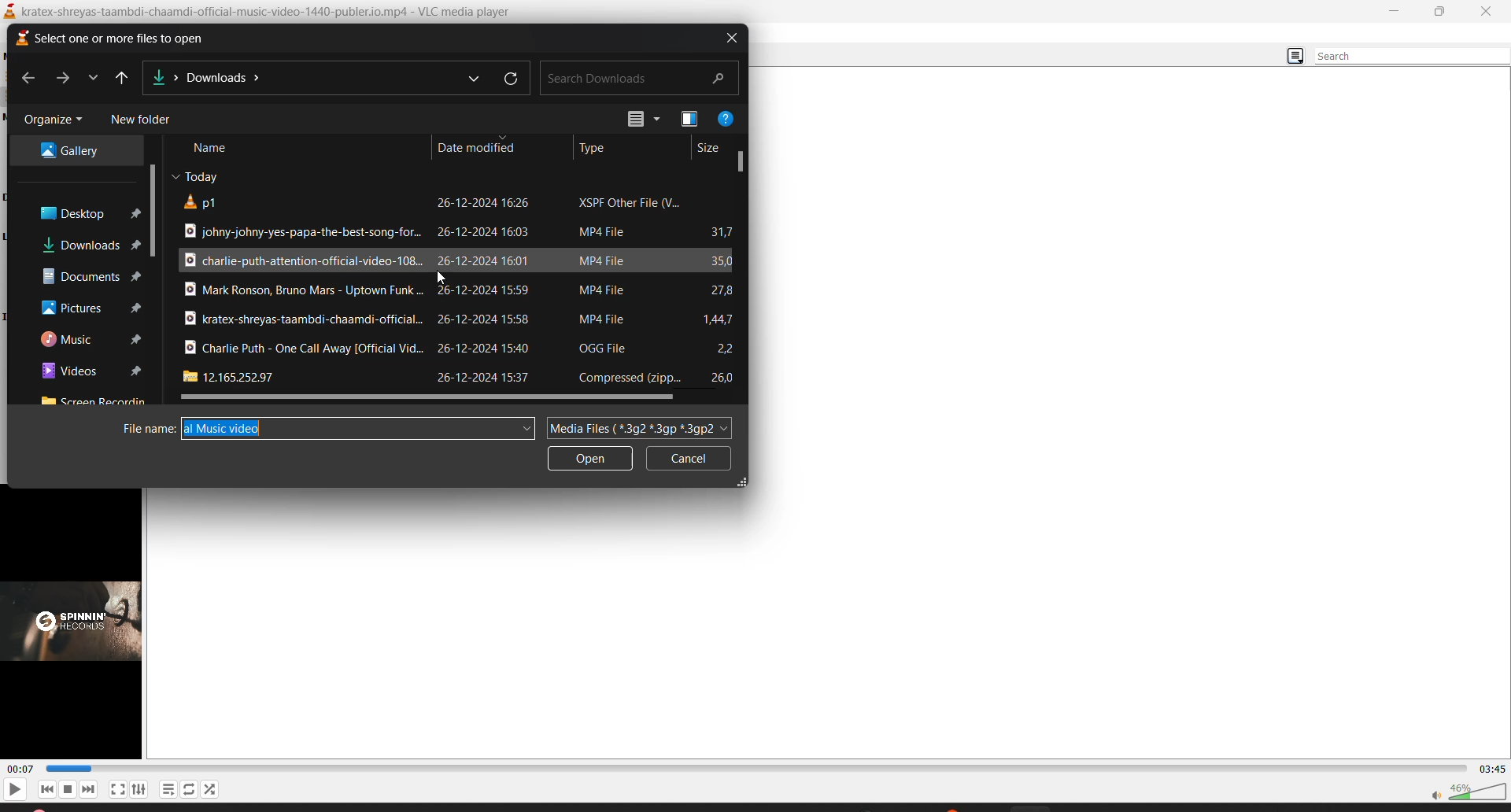 The height and width of the screenshot is (812, 1511). What do you see at coordinates (88, 217) in the screenshot?
I see `desktop` at bounding box center [88, 217].